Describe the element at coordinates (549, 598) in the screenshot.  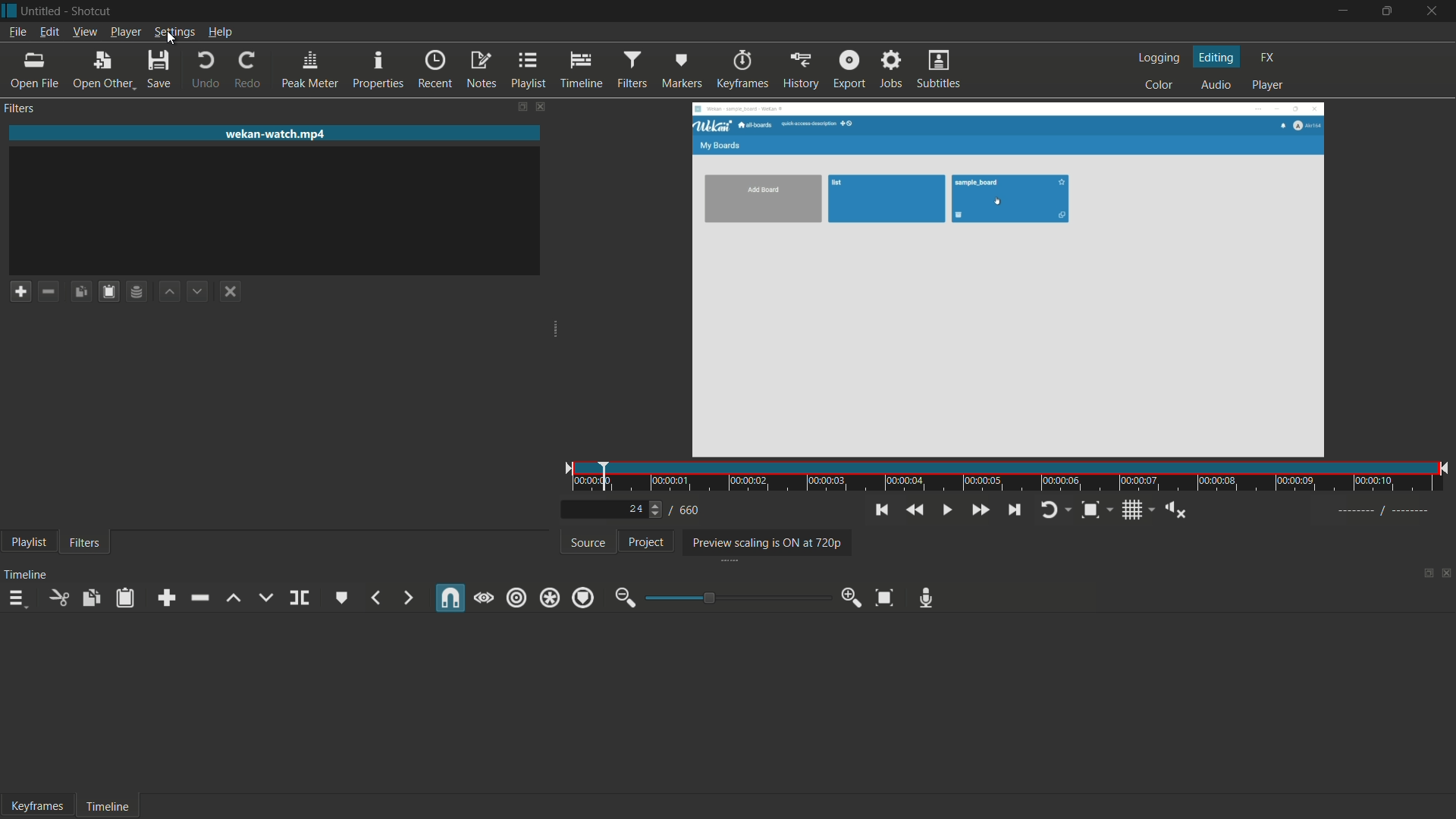
I see `ripple all tracks` at that location.